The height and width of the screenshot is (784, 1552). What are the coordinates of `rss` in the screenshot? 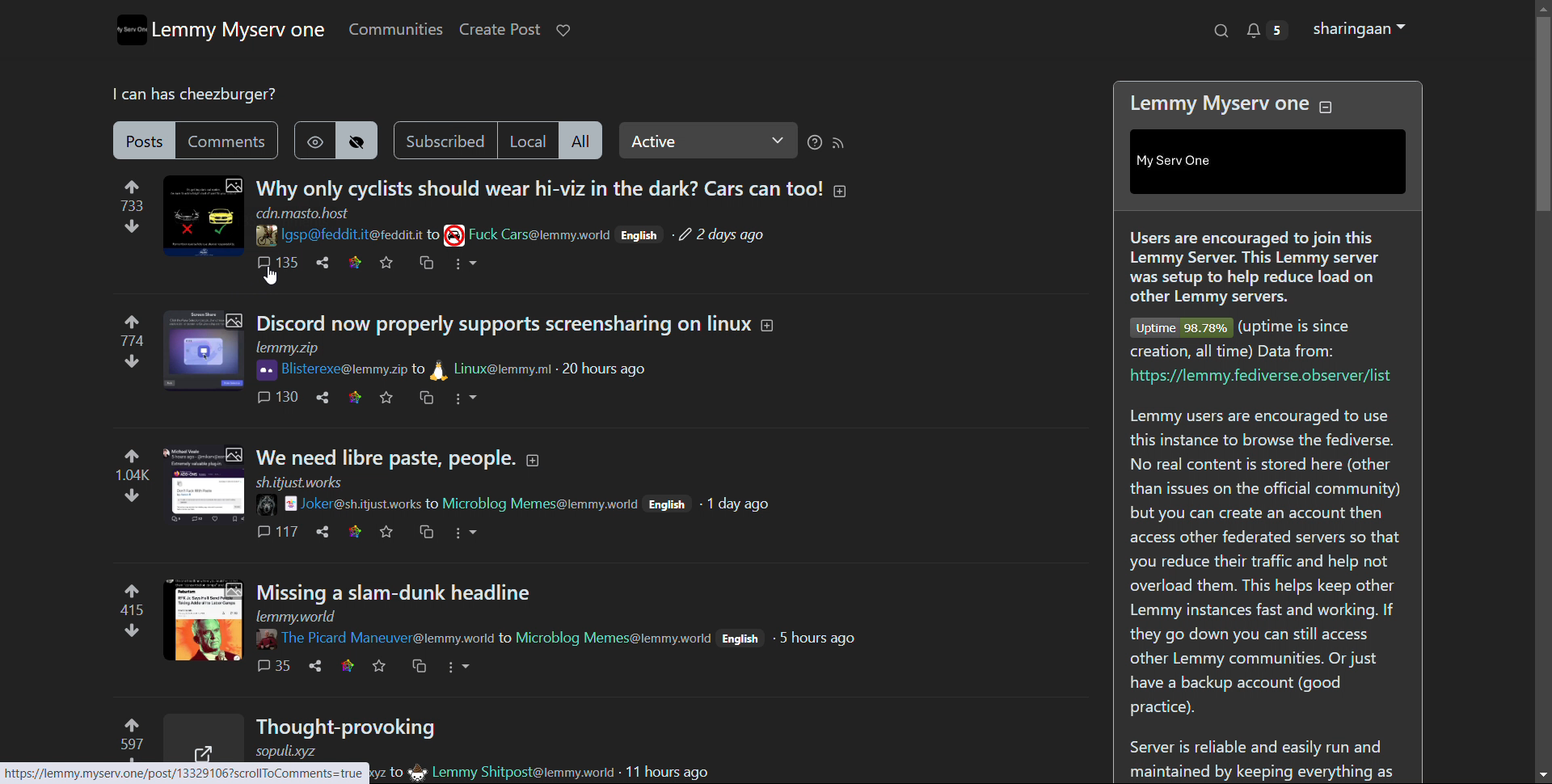 It's located at (841, 143).